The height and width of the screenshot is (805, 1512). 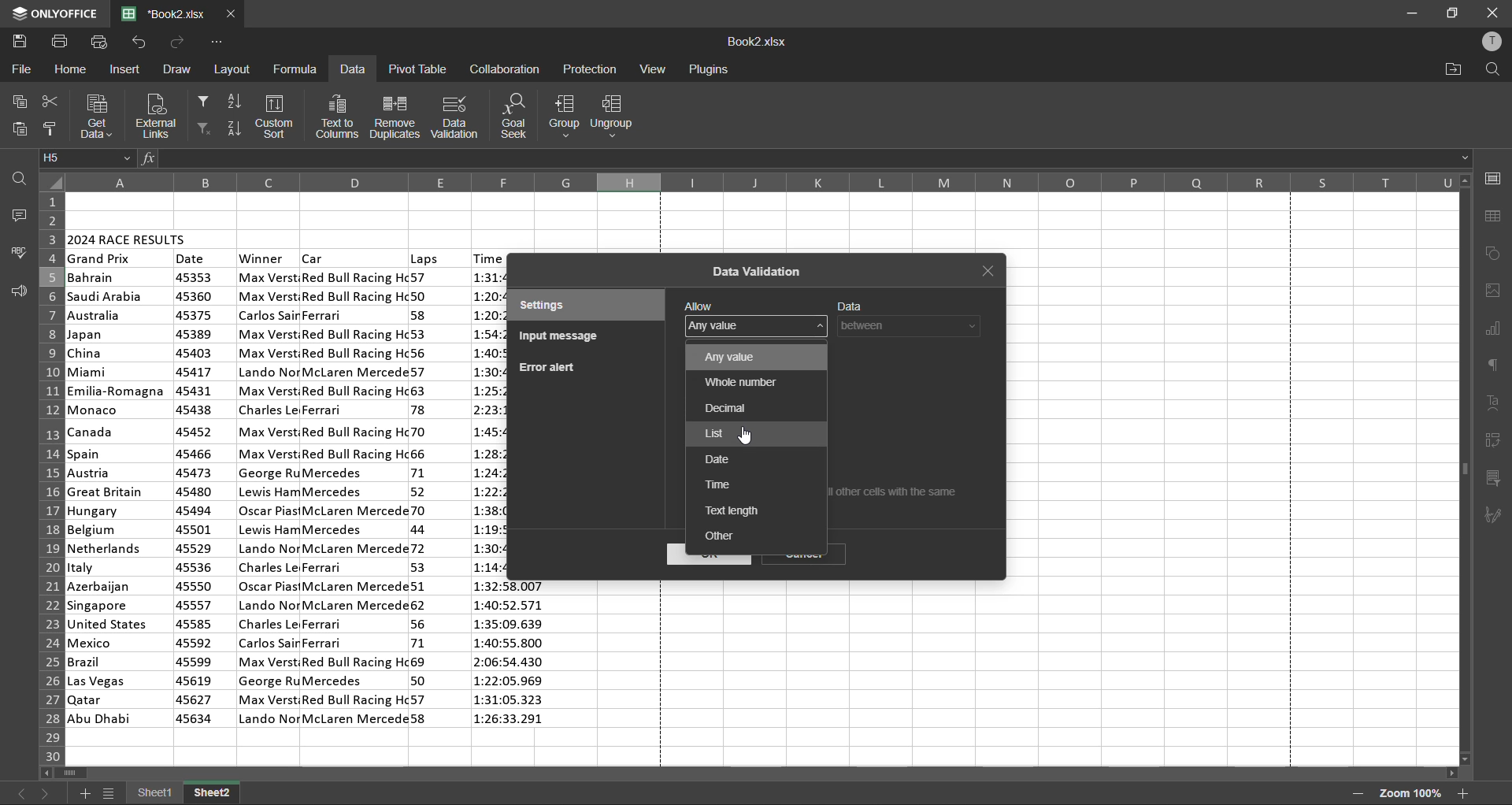 What do you see at coordinates (723, 326) in the screenshot?
I see `any value` at bounding box center [723, 326].